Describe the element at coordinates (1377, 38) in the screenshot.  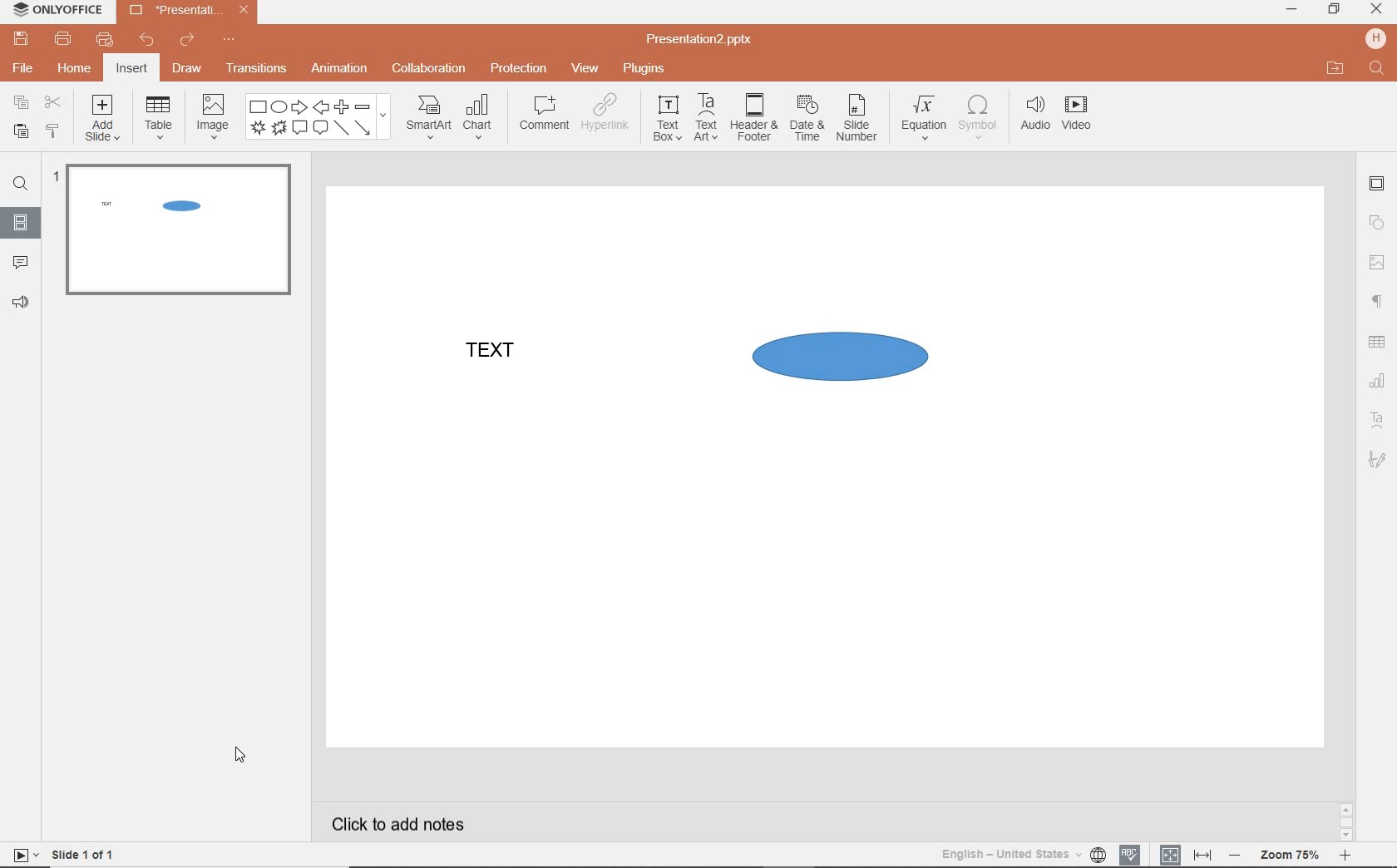
I see `HP` at that location.